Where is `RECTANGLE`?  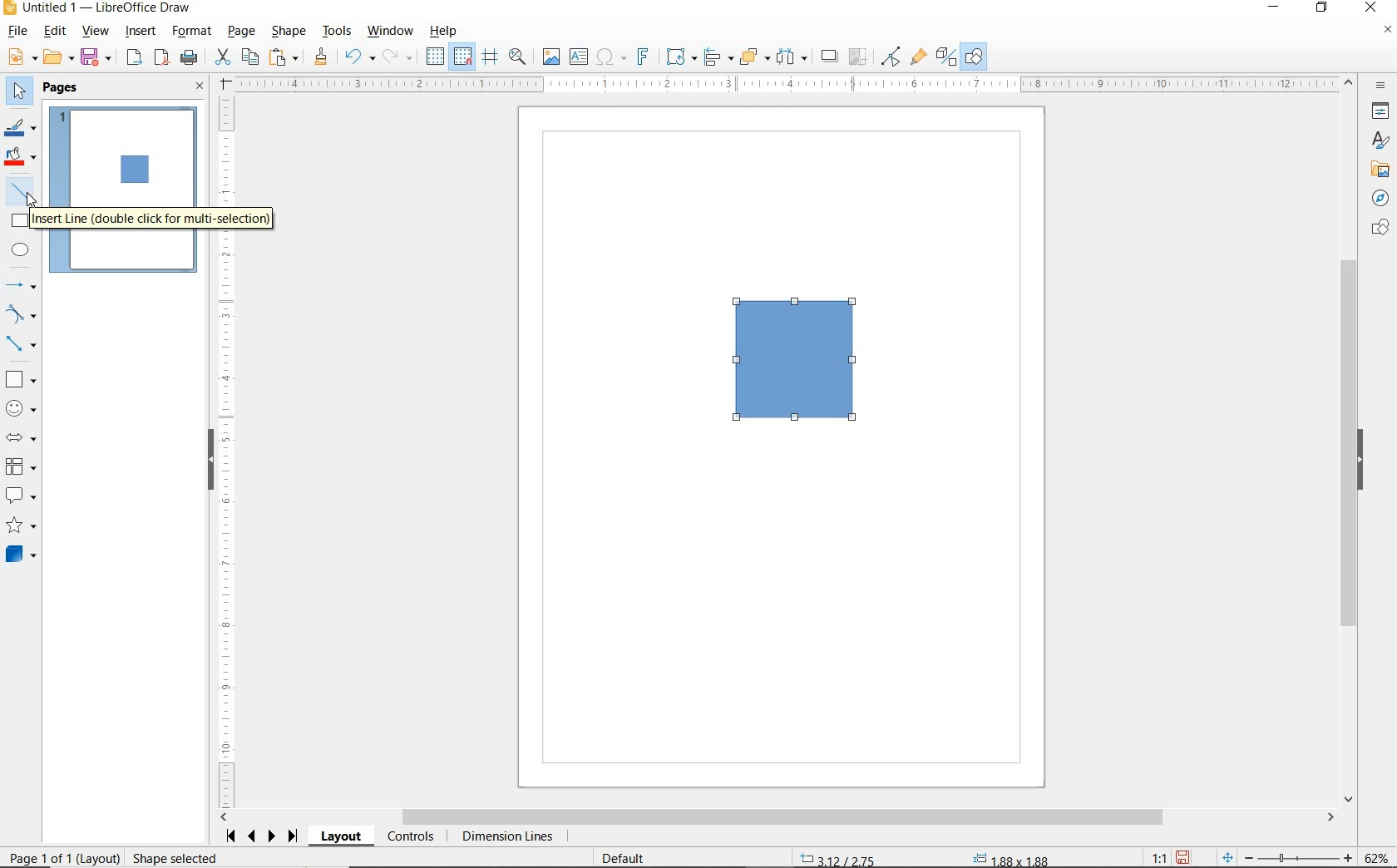 RECTANGLE is located at coordinates (21, 220).